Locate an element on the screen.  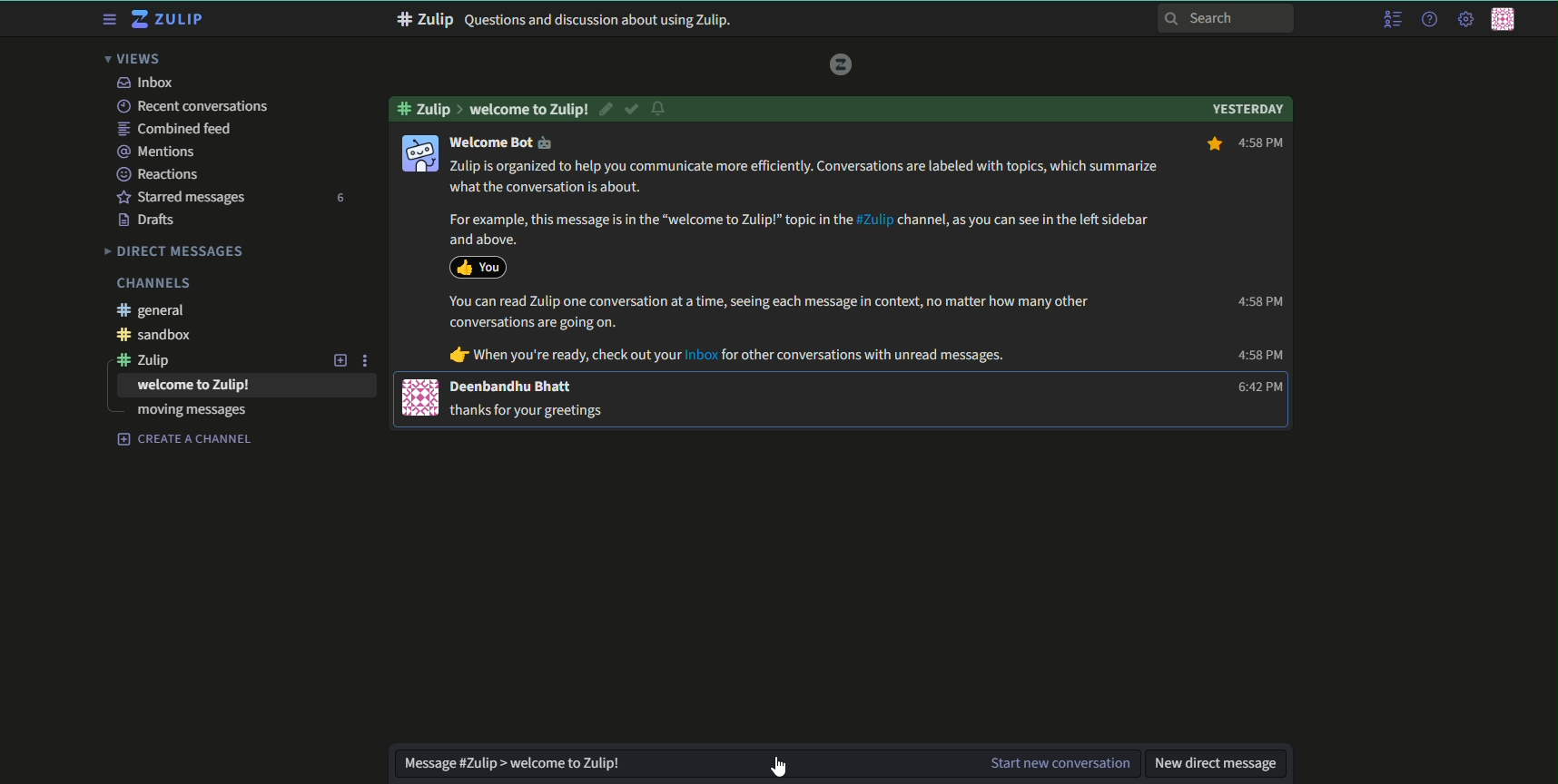
menu is located at coordinates (1391, 20).